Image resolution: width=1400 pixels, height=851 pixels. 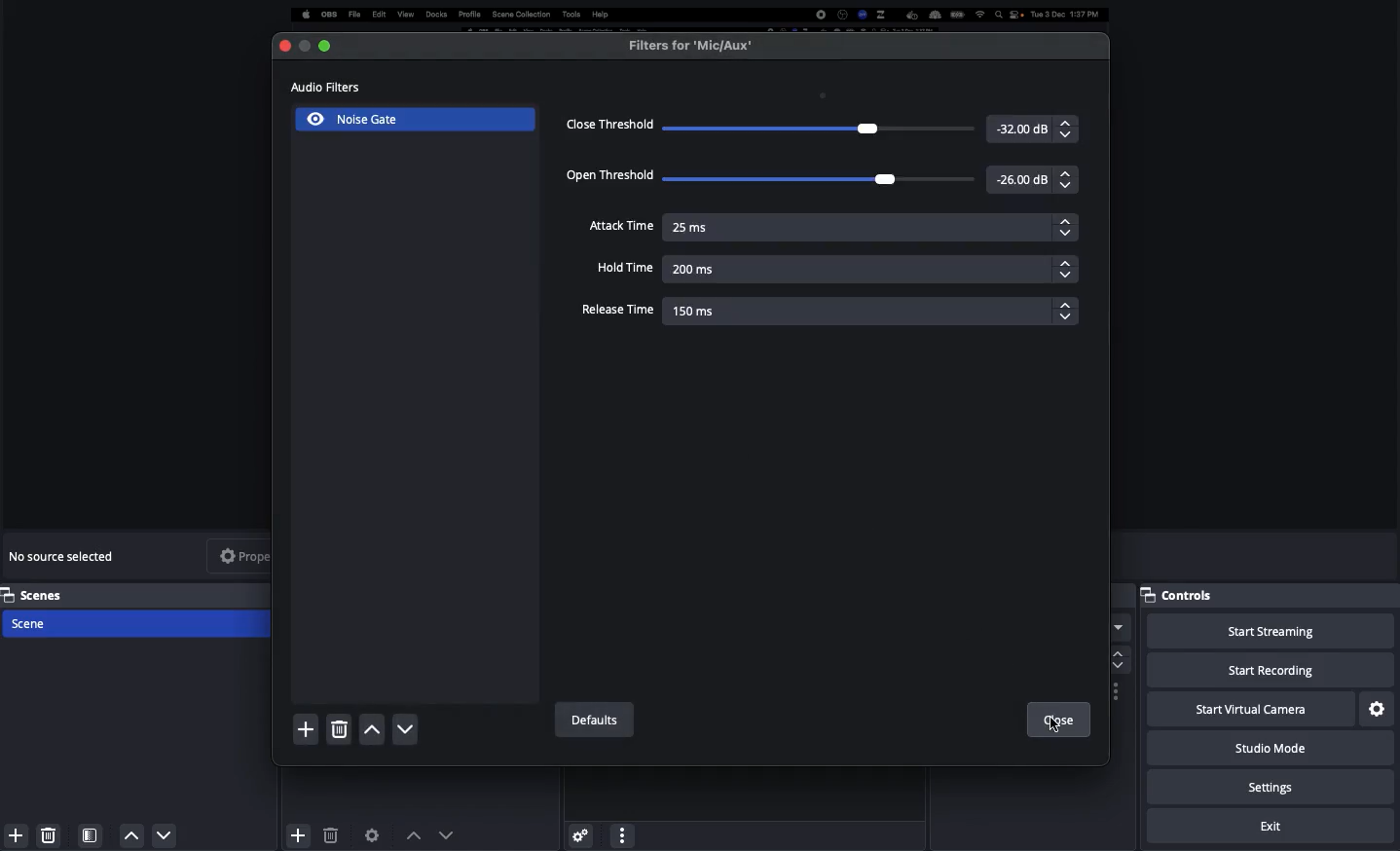 What do you see at coordinates (824, 179) in the screenshot?
I see `Open threshold` at bounding box center [824, 179].